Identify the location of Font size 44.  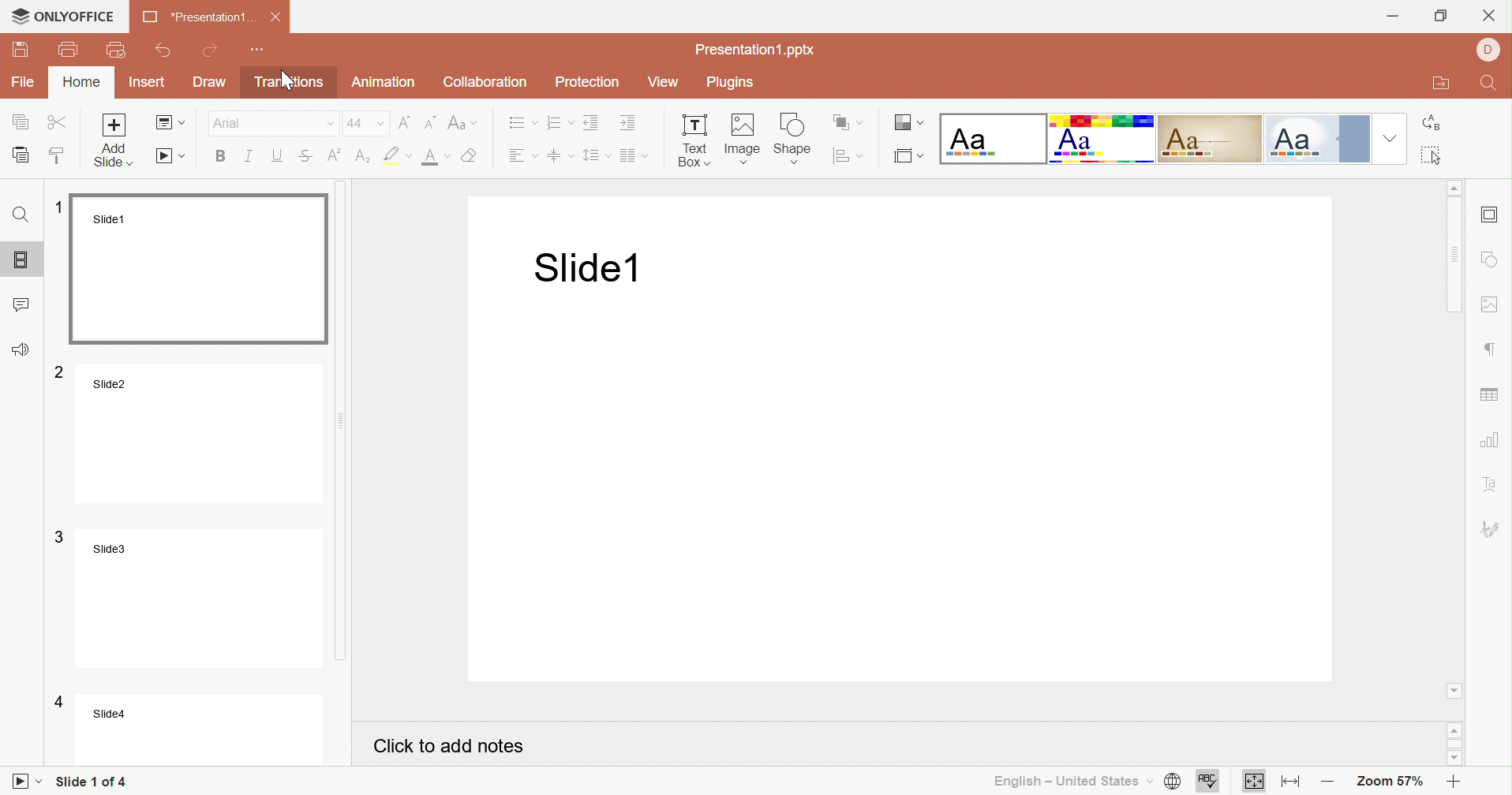
(366, 123).